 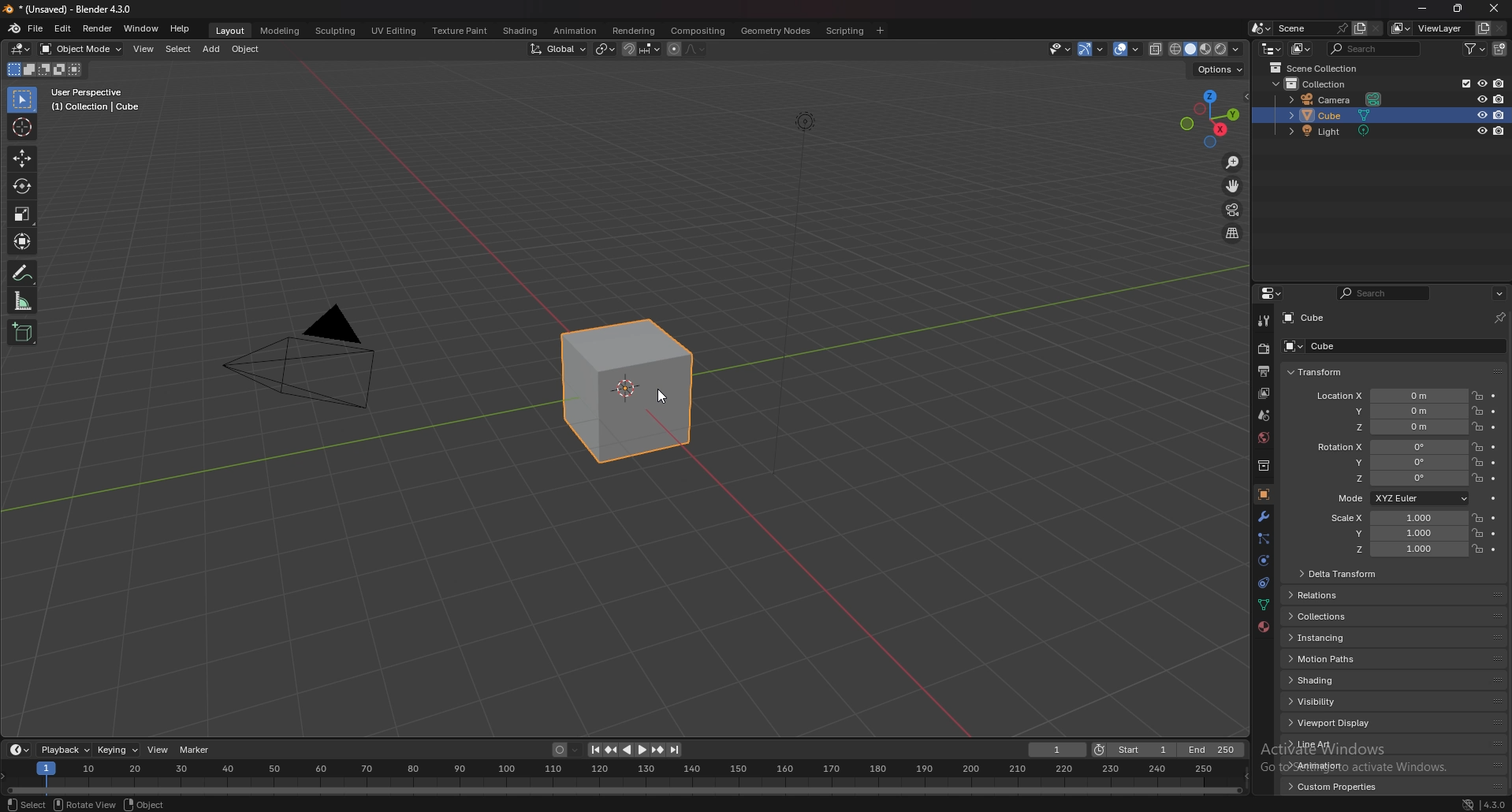 What do you see at coordinates (1478, 518) in the screenshot?
I see `lock location` at bounding box center [1478, 518].